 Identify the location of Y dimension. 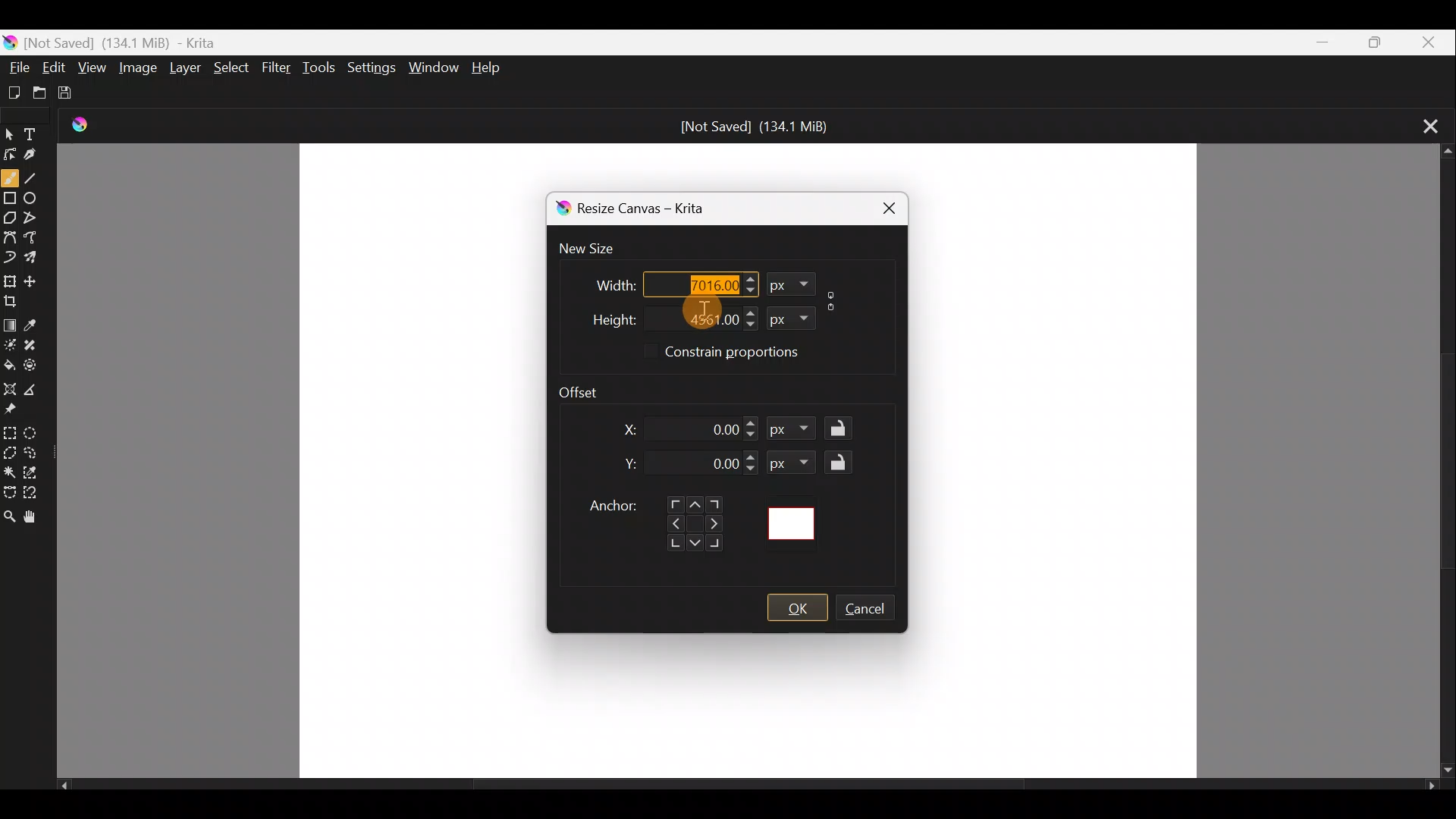
(626, 464).